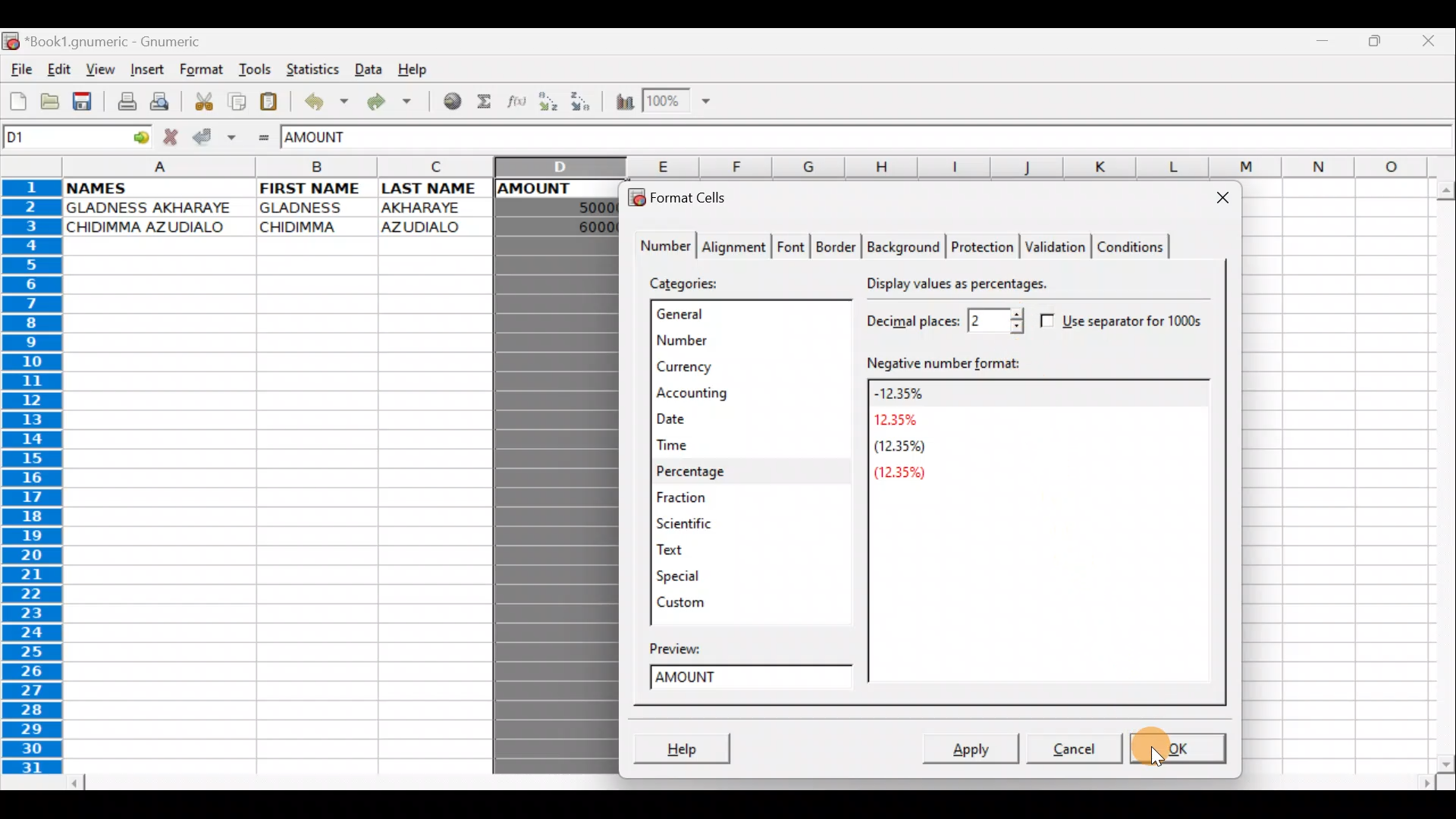  I want to click on Close, so click(1429, 39).